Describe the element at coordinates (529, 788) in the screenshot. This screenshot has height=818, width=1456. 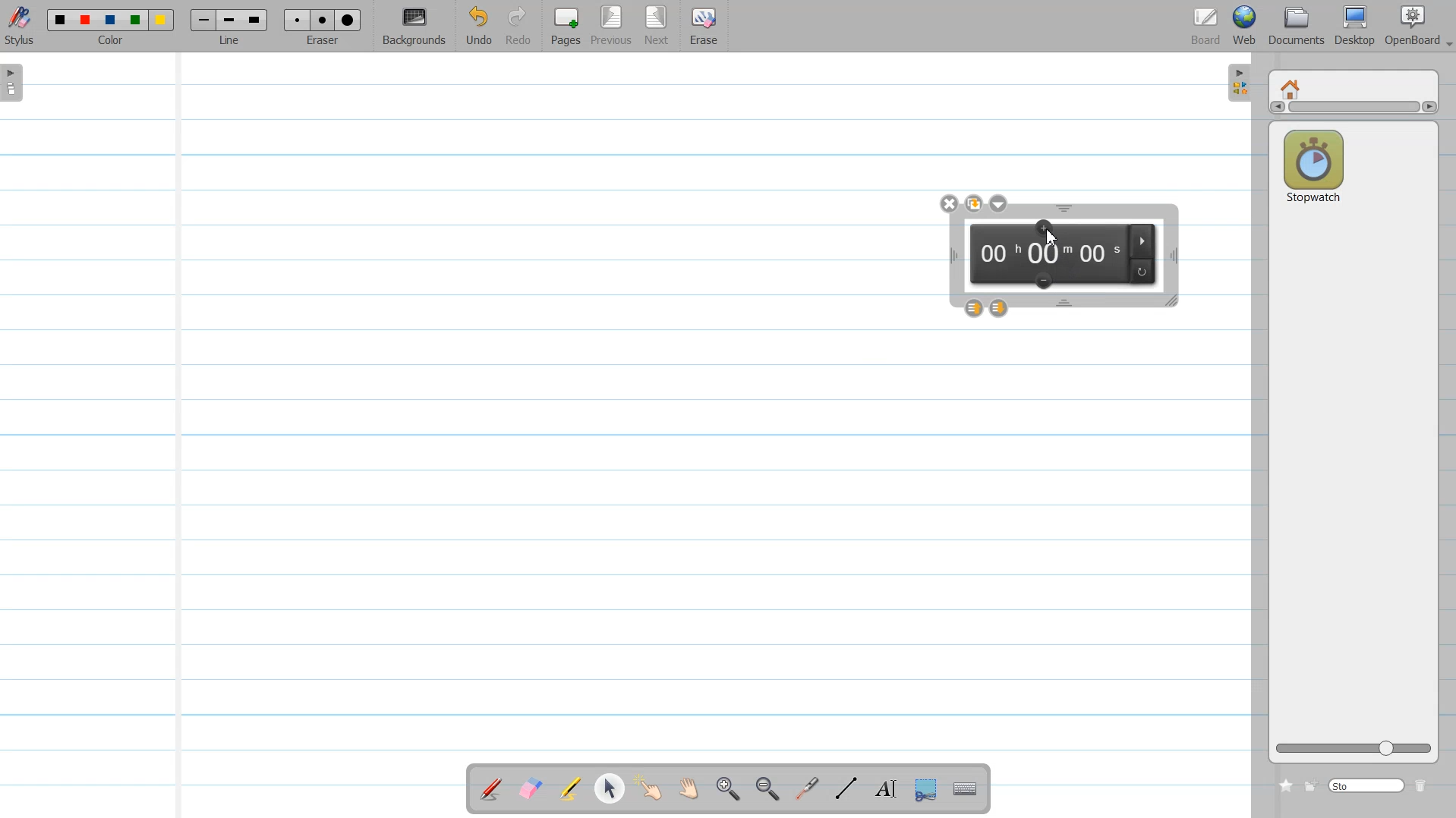
I see `Erase annotation` at that location.